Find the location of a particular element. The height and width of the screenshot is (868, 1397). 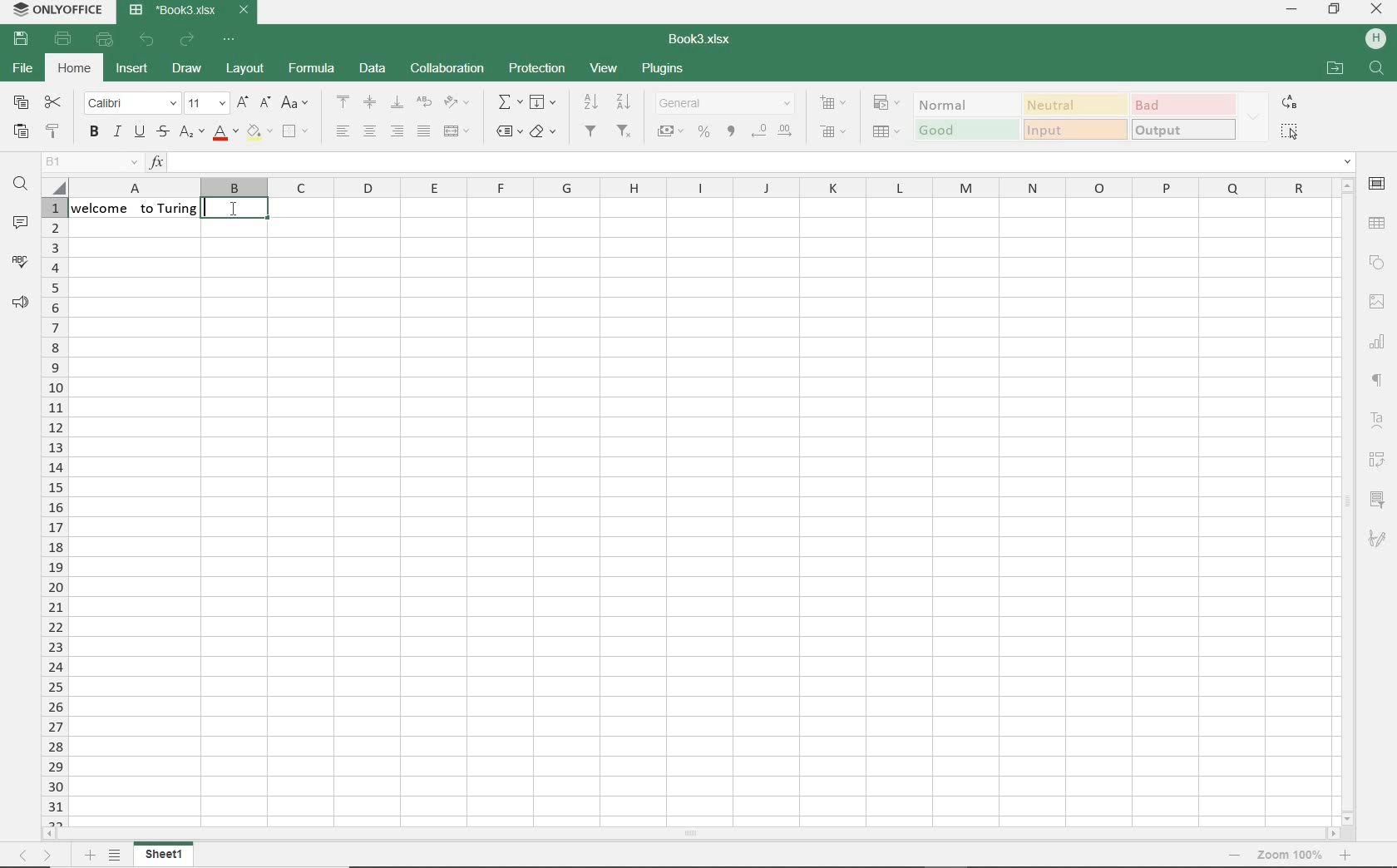

save is located at coordinates (21, 39).